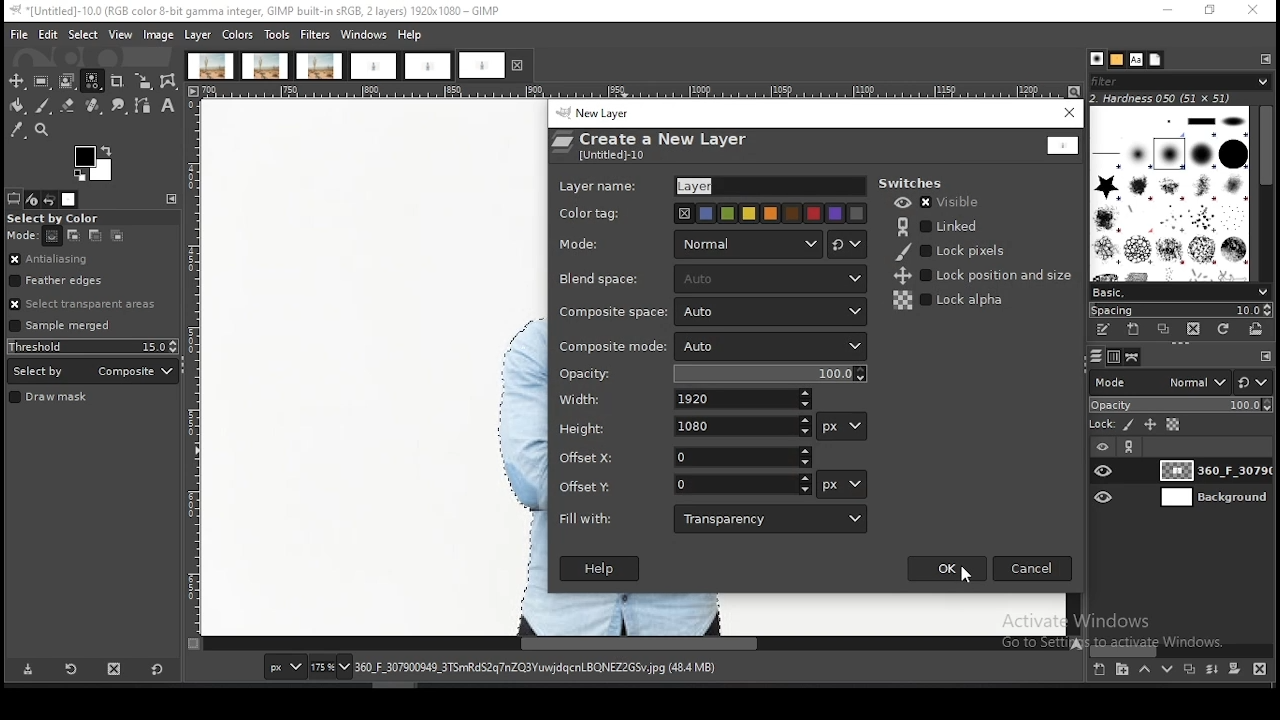 The image size is (1280, 720). I want to click on layers, so click(1096, 357).